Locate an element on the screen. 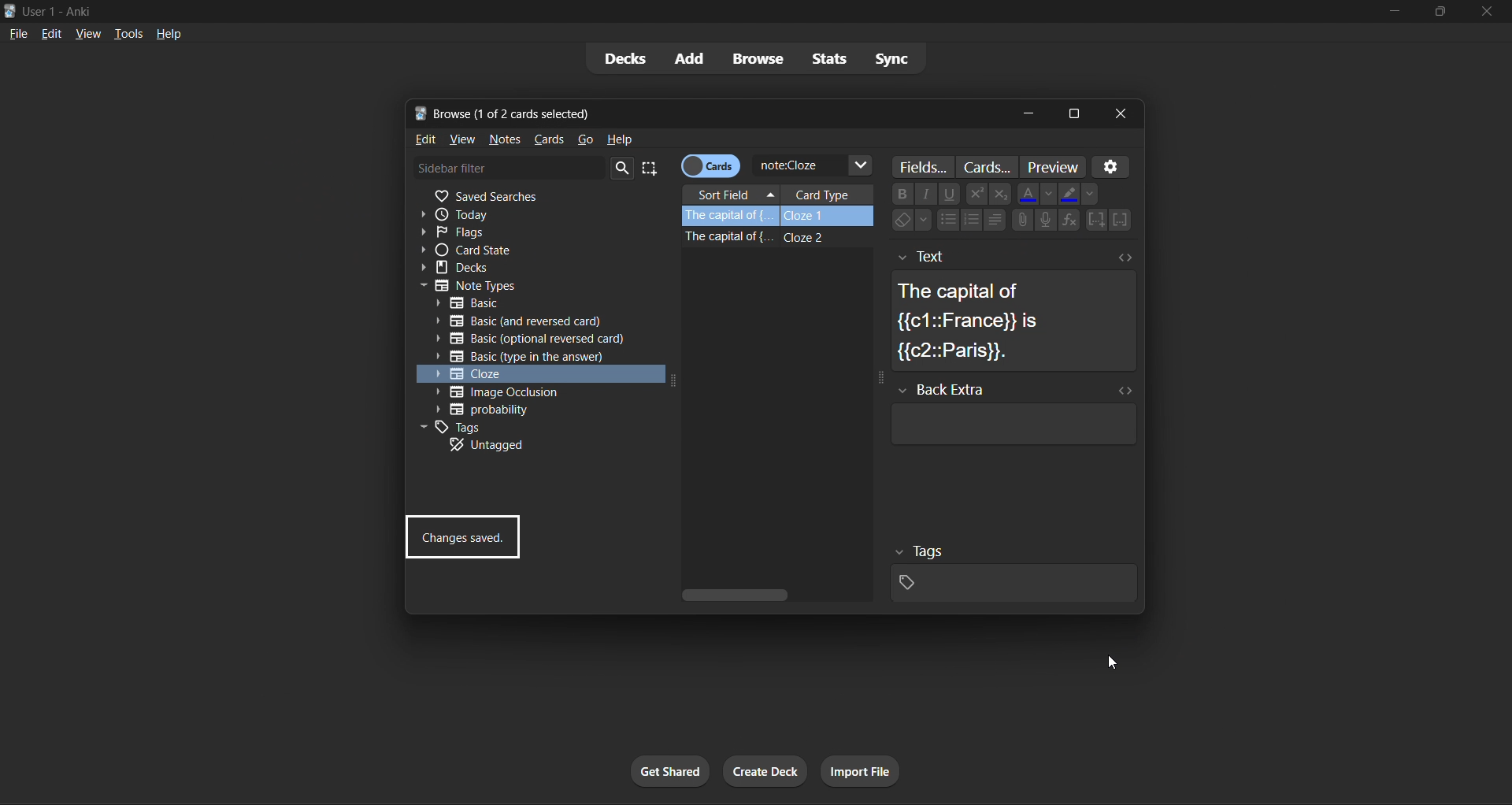 The height and width of the screenshot is (805, 1512). saved searches is located at coordinates (539, 197).